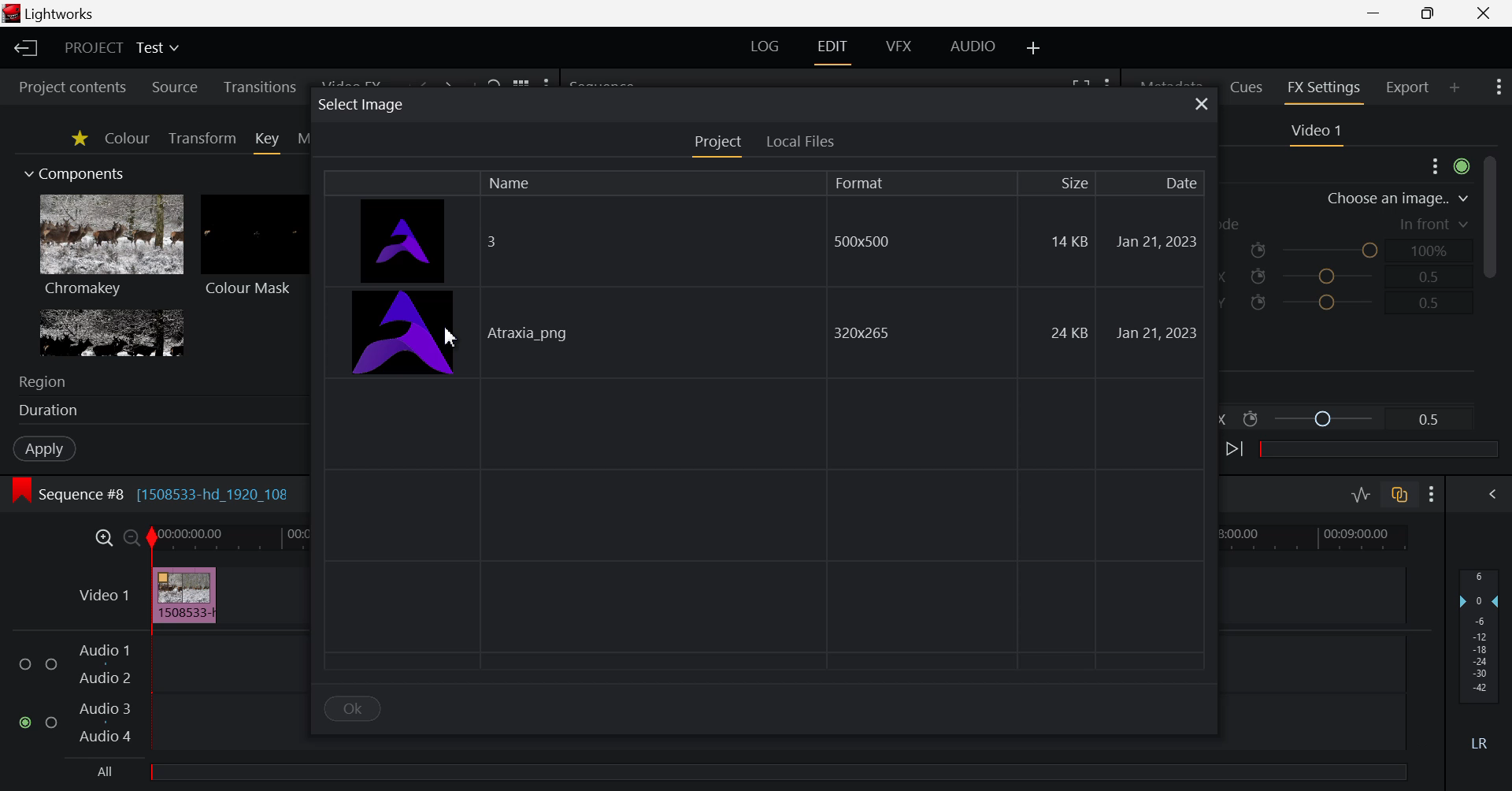 The image size is (1512, 791). Describe the element at coordinates (174, 84) in the screenshot. I see `Source` at that location.